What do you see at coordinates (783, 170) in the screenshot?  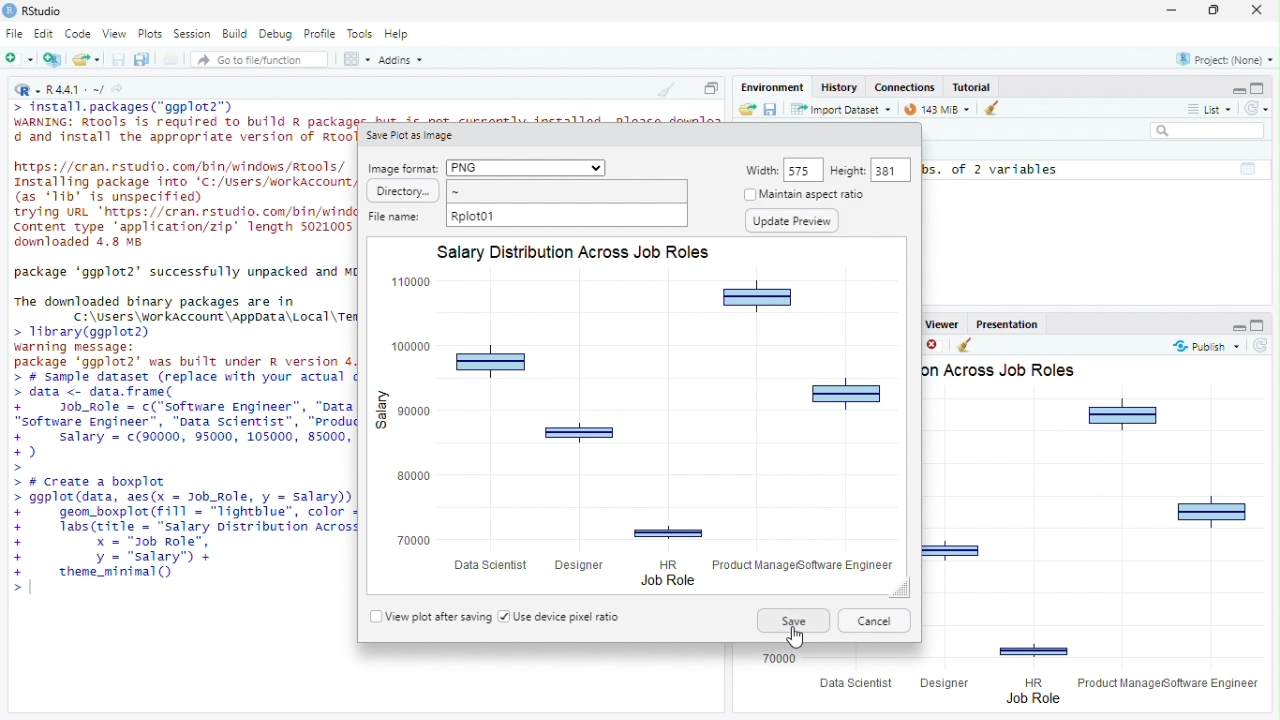 I see `Width : 575` at bounding box center [783, 170].